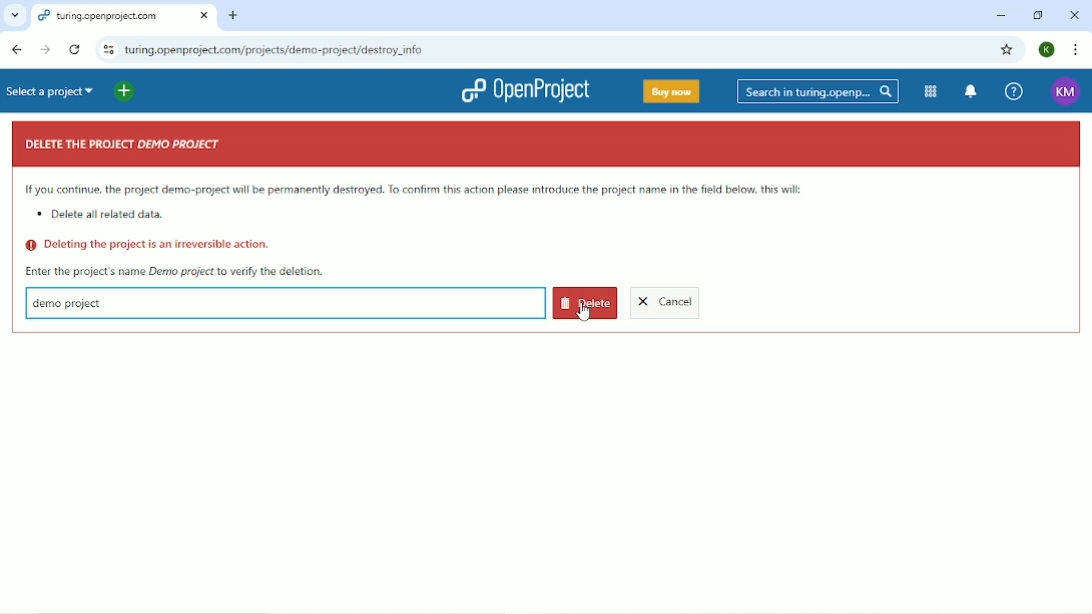 The image size is (1092, 614). Describe the element at coordinates (1076, 16) in the screenshot. I see `Close` at that location.